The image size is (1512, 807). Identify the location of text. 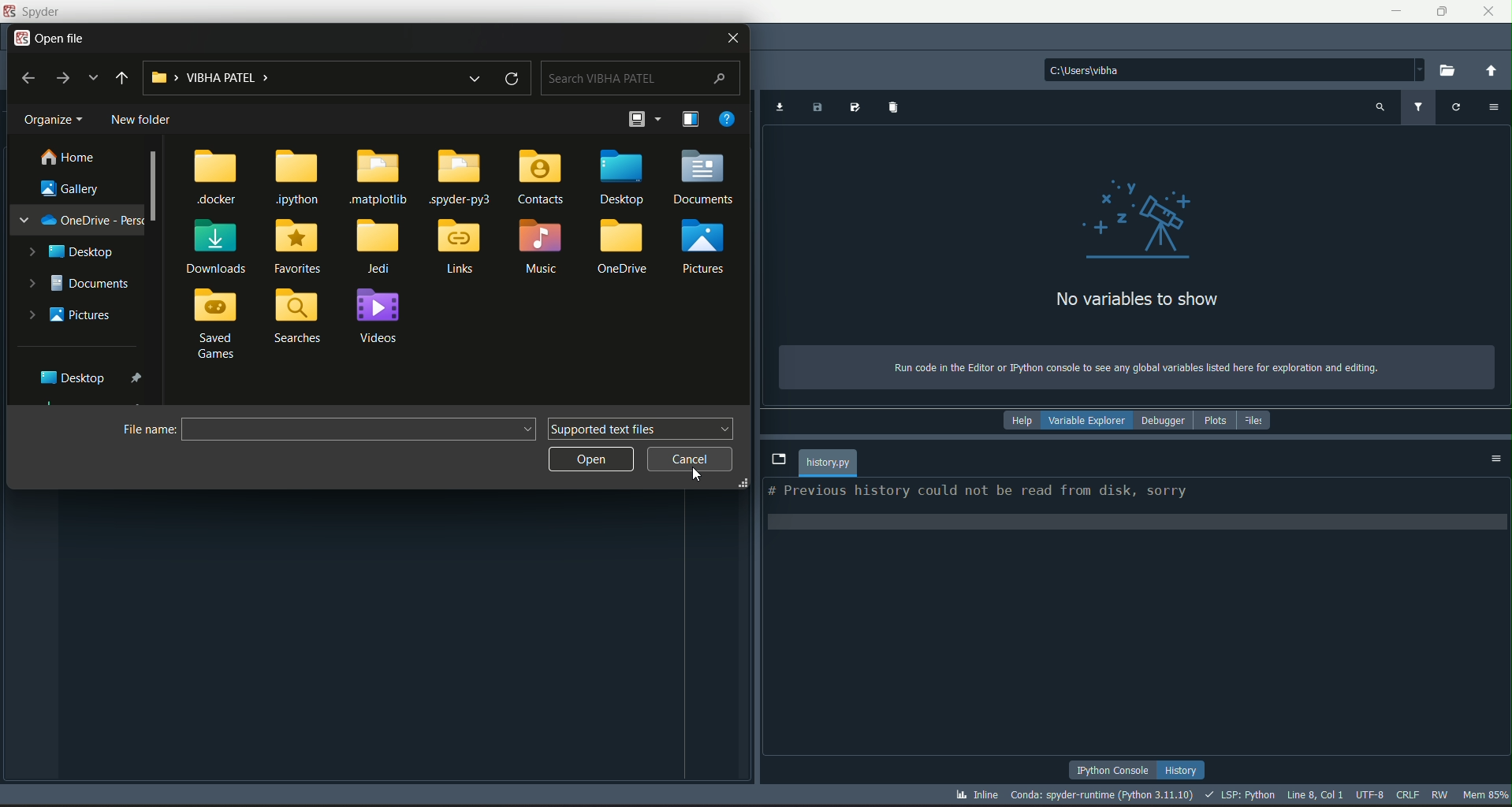
(1127, 367).